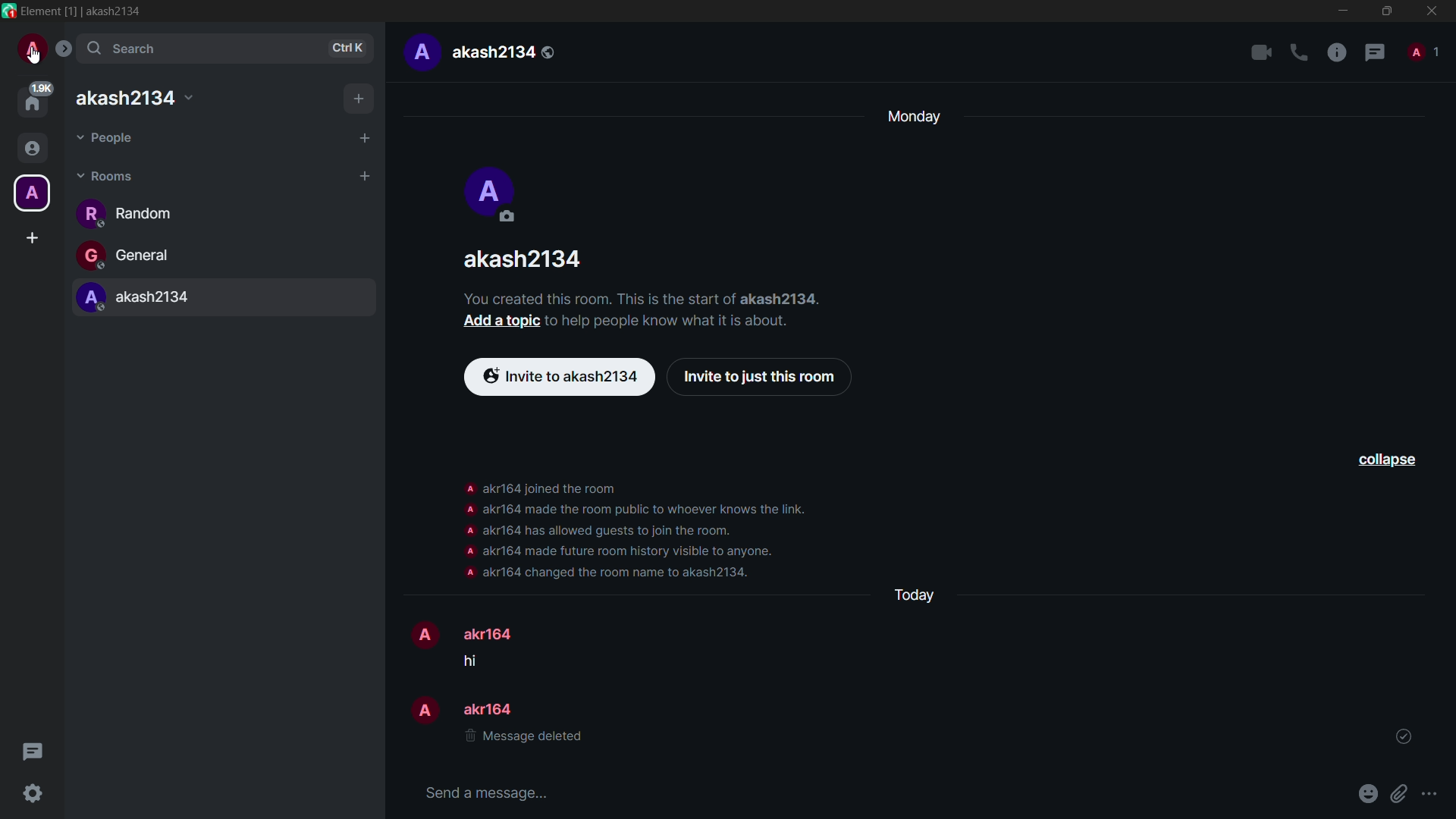 This screenshot has height=819, width=1456. I want to click on expand, so click(64, 49).